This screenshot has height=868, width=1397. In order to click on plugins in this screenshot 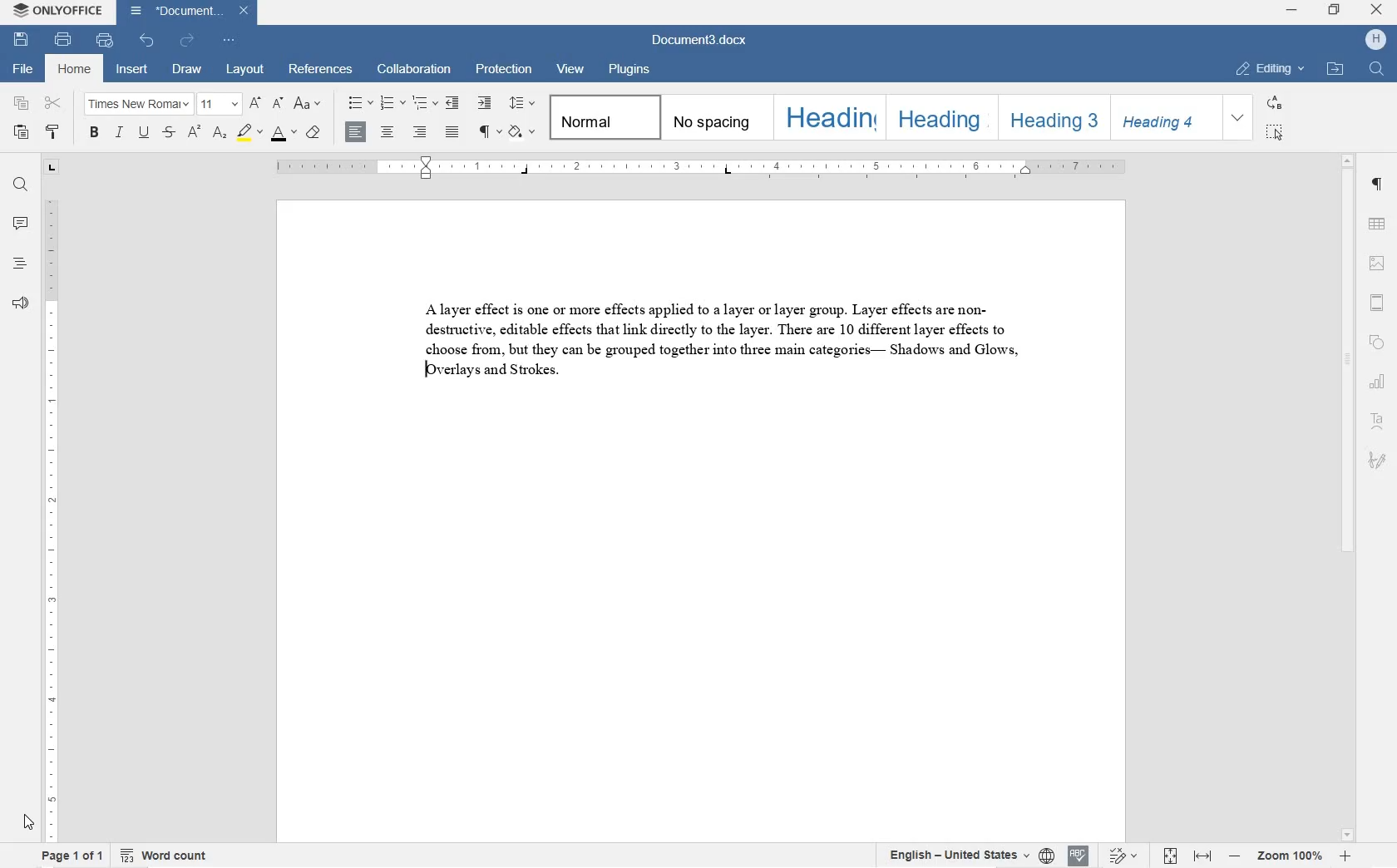, I will do `click(629, 70)`.